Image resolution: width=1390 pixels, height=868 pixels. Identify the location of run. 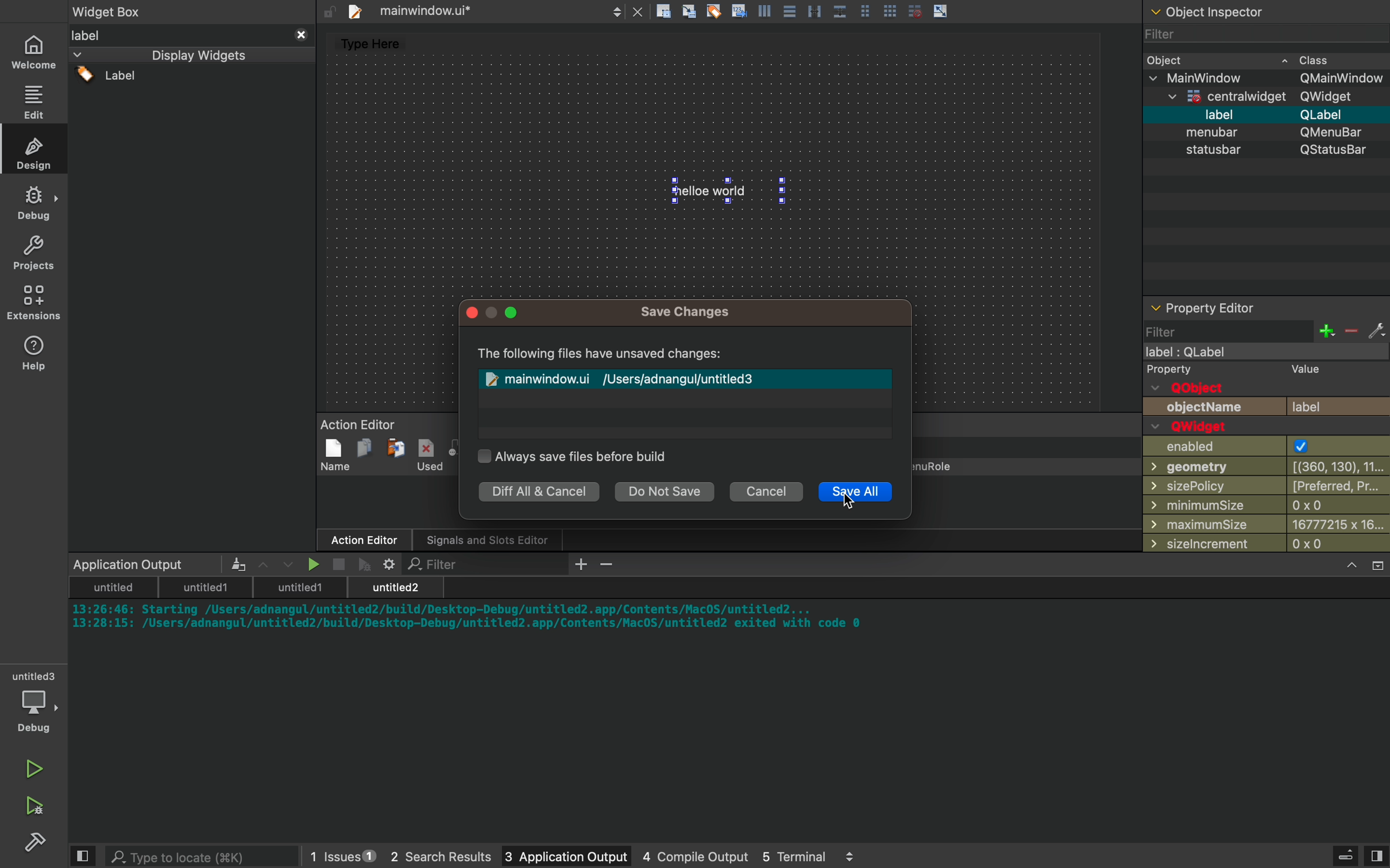
(34, 764).